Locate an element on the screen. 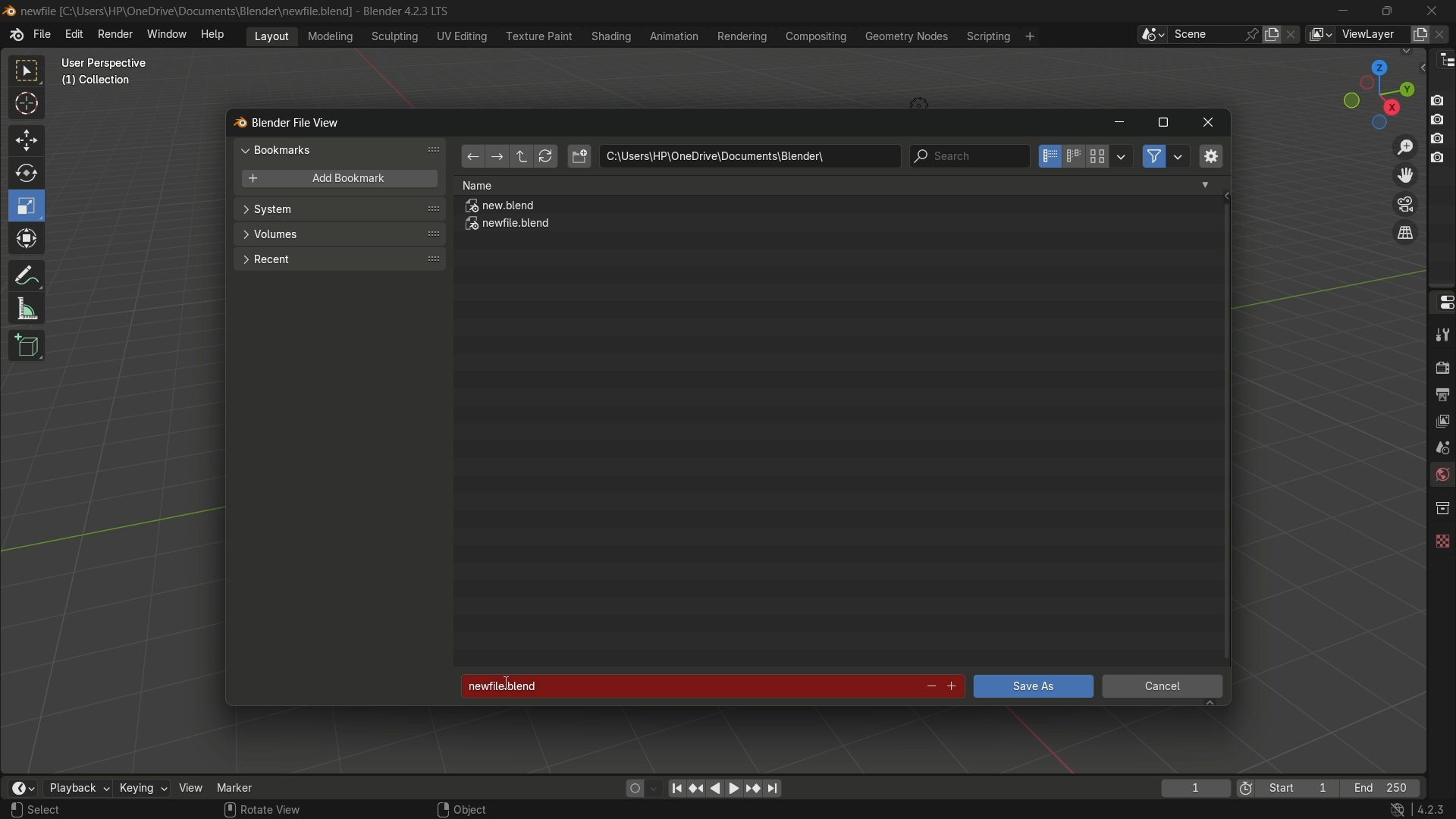 Image resolution: width=1456 pixels, height=819 pixels. scene is located at coordinates (1439, 447).